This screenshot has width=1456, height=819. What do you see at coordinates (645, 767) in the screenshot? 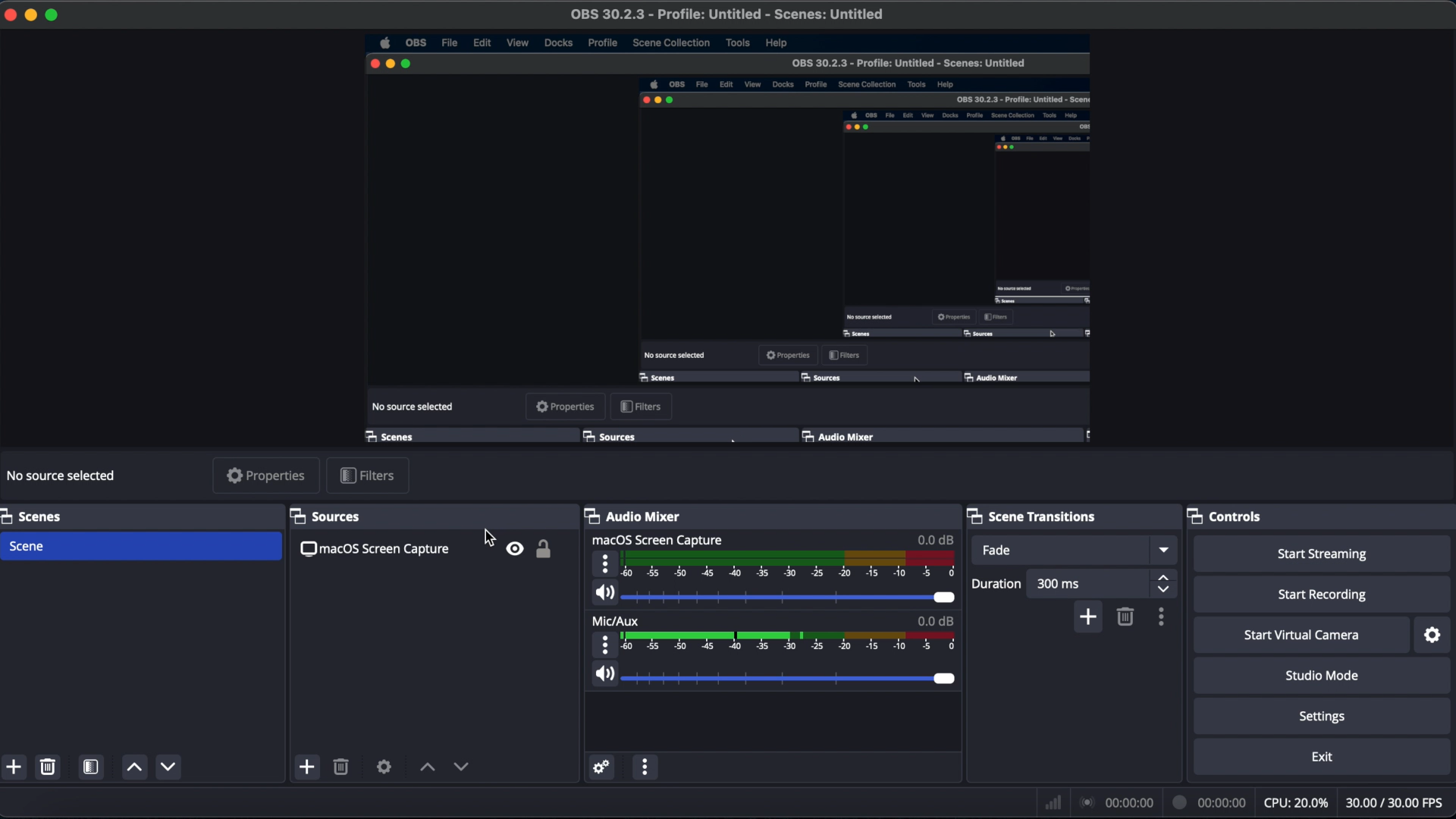
I see `audio mixer menu` at bounding box center [645, 767].